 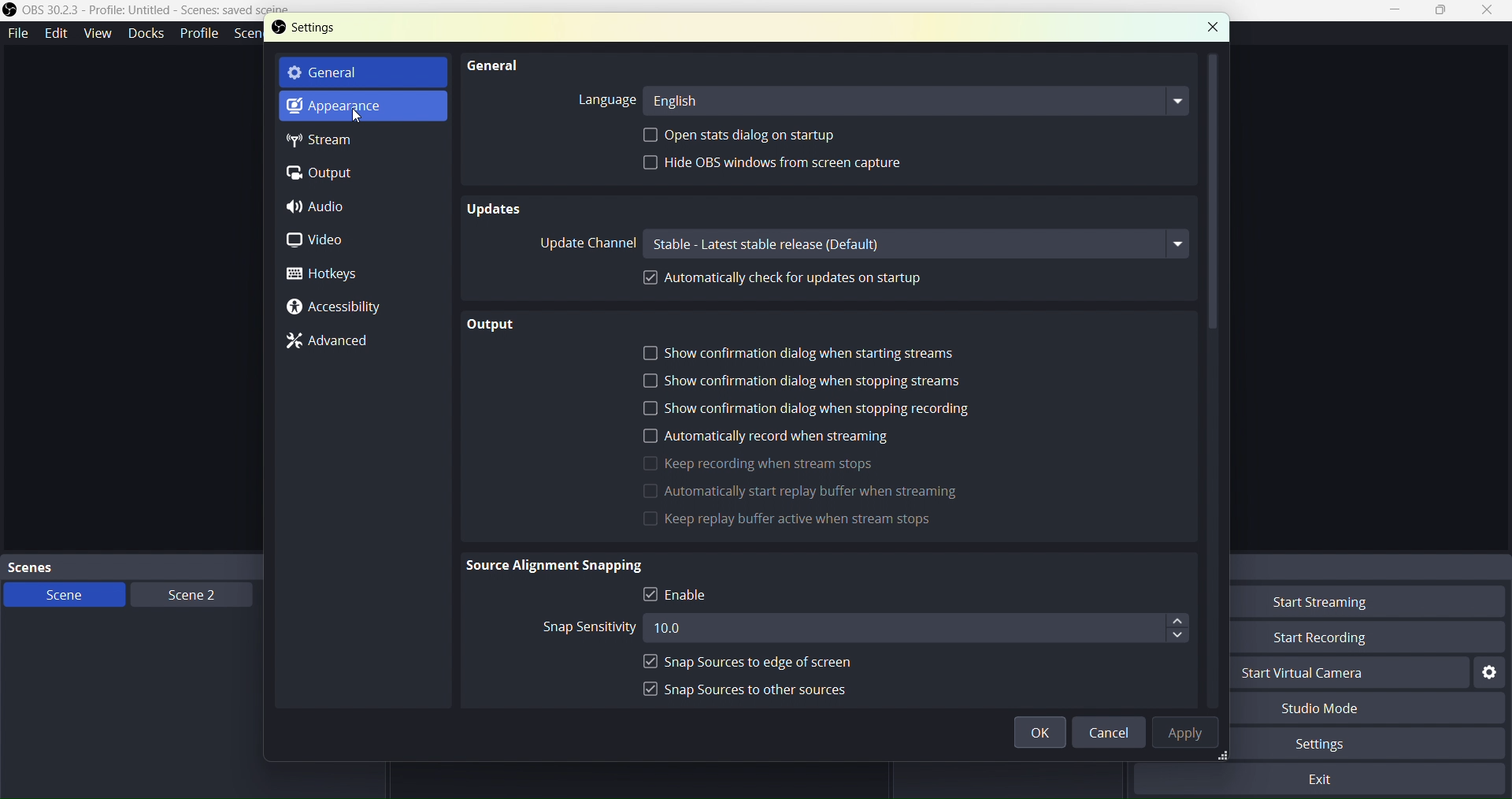 What do you see at coordinates (335, 307) in the screenshot?
I see `Accesibility` at bounding box center [335, 307].